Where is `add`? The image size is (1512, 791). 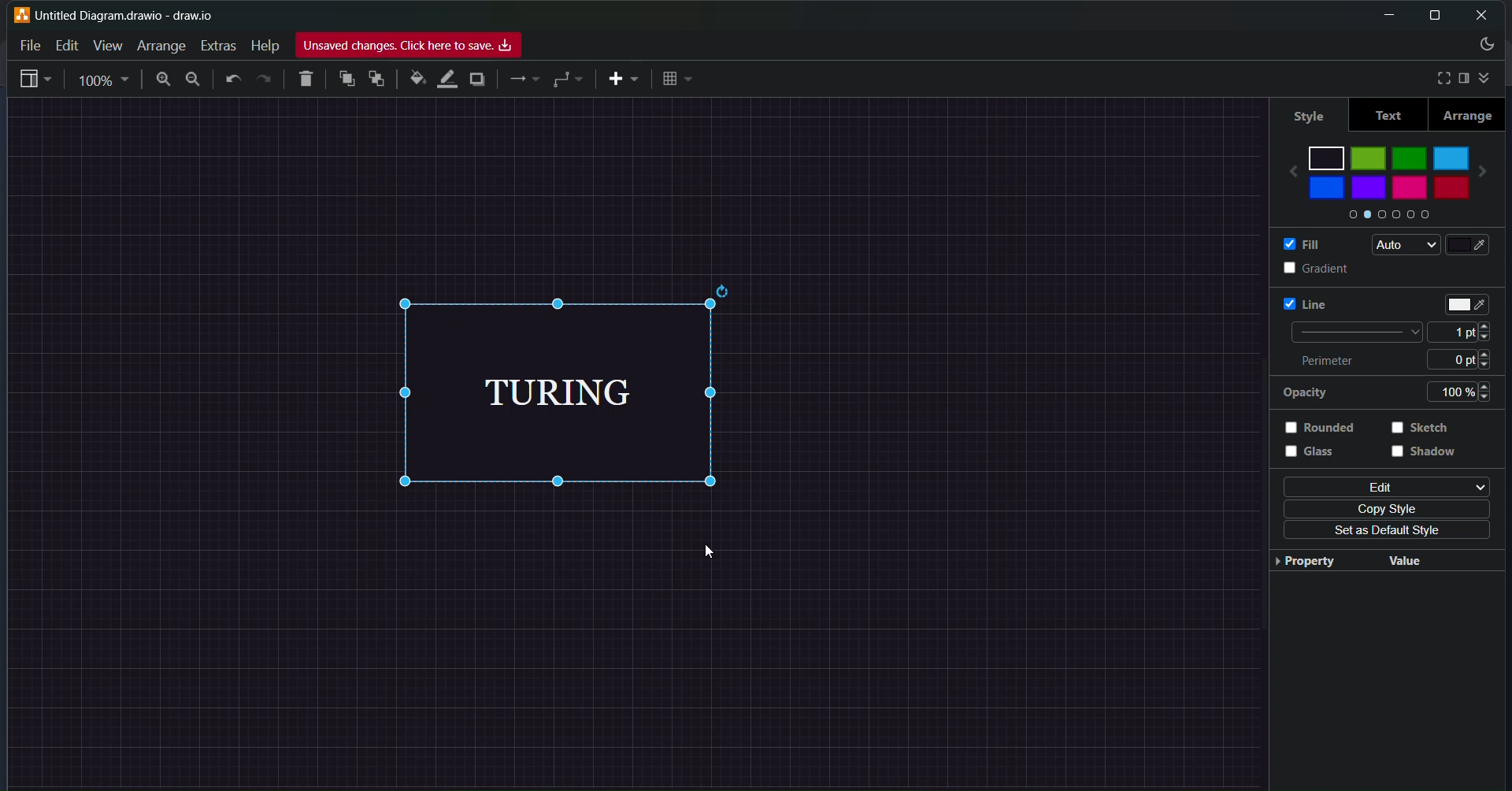
add is located at coordinates (622, 79).